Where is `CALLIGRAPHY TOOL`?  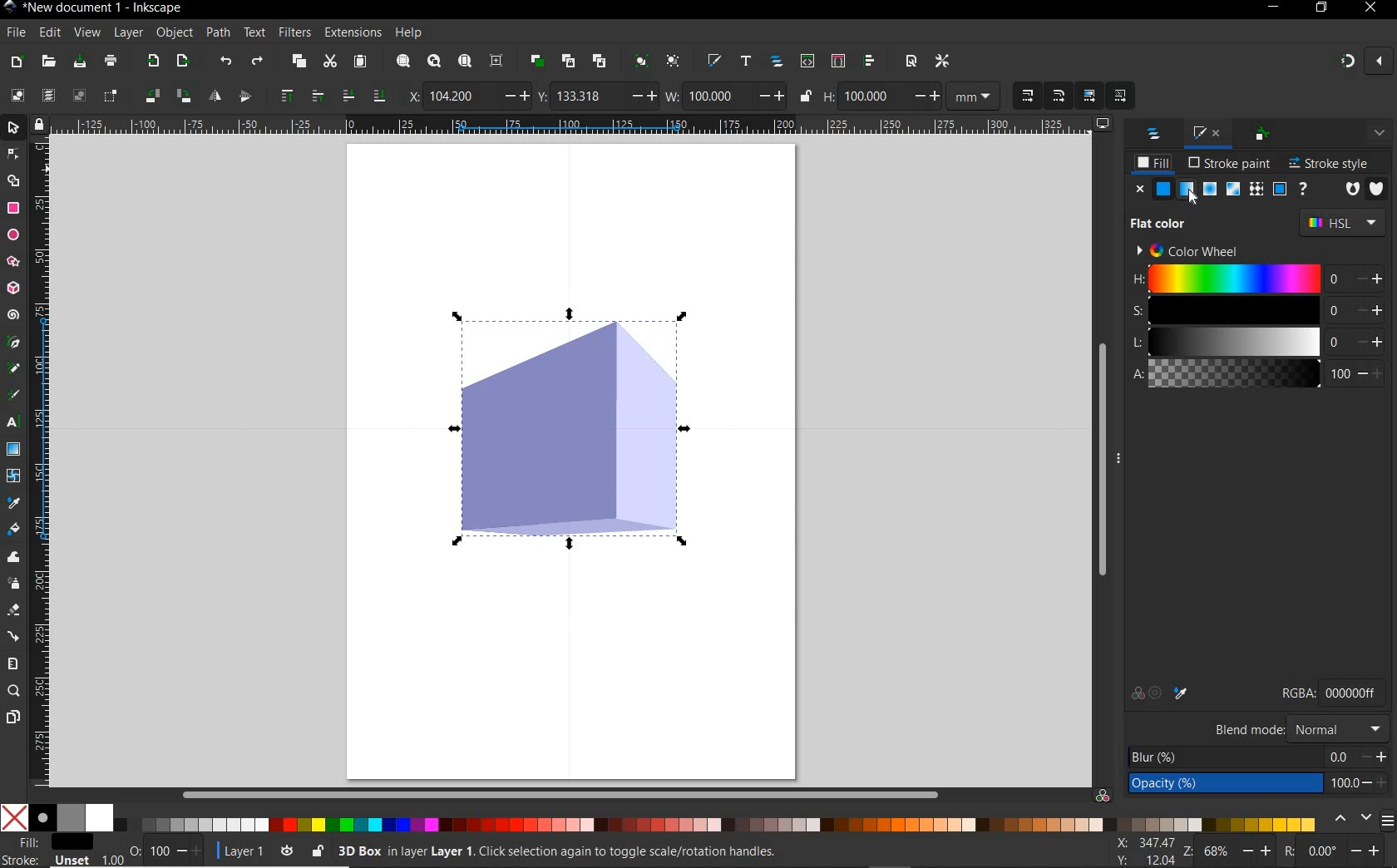 CALLIGRAPHY TOOL is located at coordinates (13, 396).